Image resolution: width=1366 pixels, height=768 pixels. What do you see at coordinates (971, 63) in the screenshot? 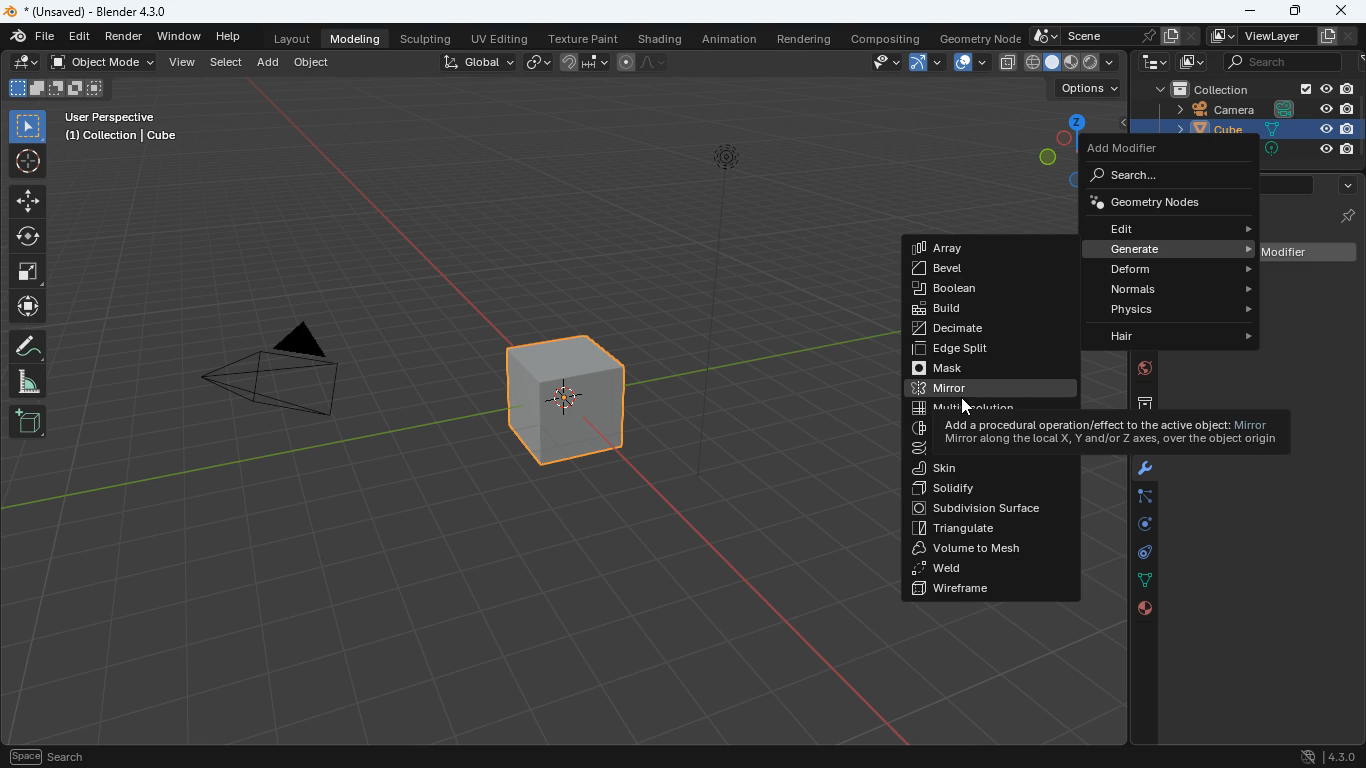
I see `overlap` at bounding box center [971, 63].